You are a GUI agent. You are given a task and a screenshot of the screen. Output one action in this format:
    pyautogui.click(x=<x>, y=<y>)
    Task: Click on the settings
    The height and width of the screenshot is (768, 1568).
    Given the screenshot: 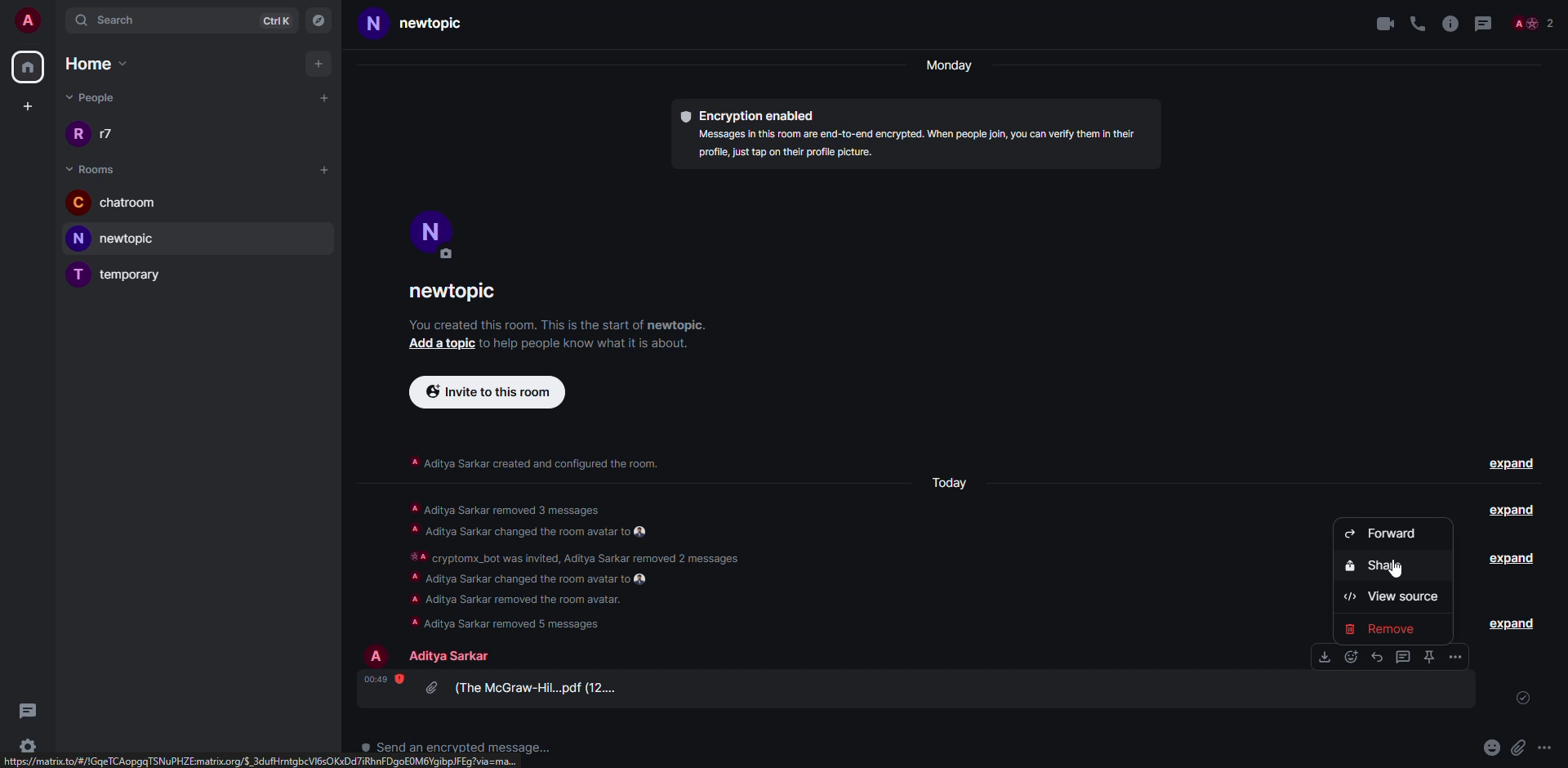 What is the action you would take?
    pyautogui.click(x=25, y=745)
    